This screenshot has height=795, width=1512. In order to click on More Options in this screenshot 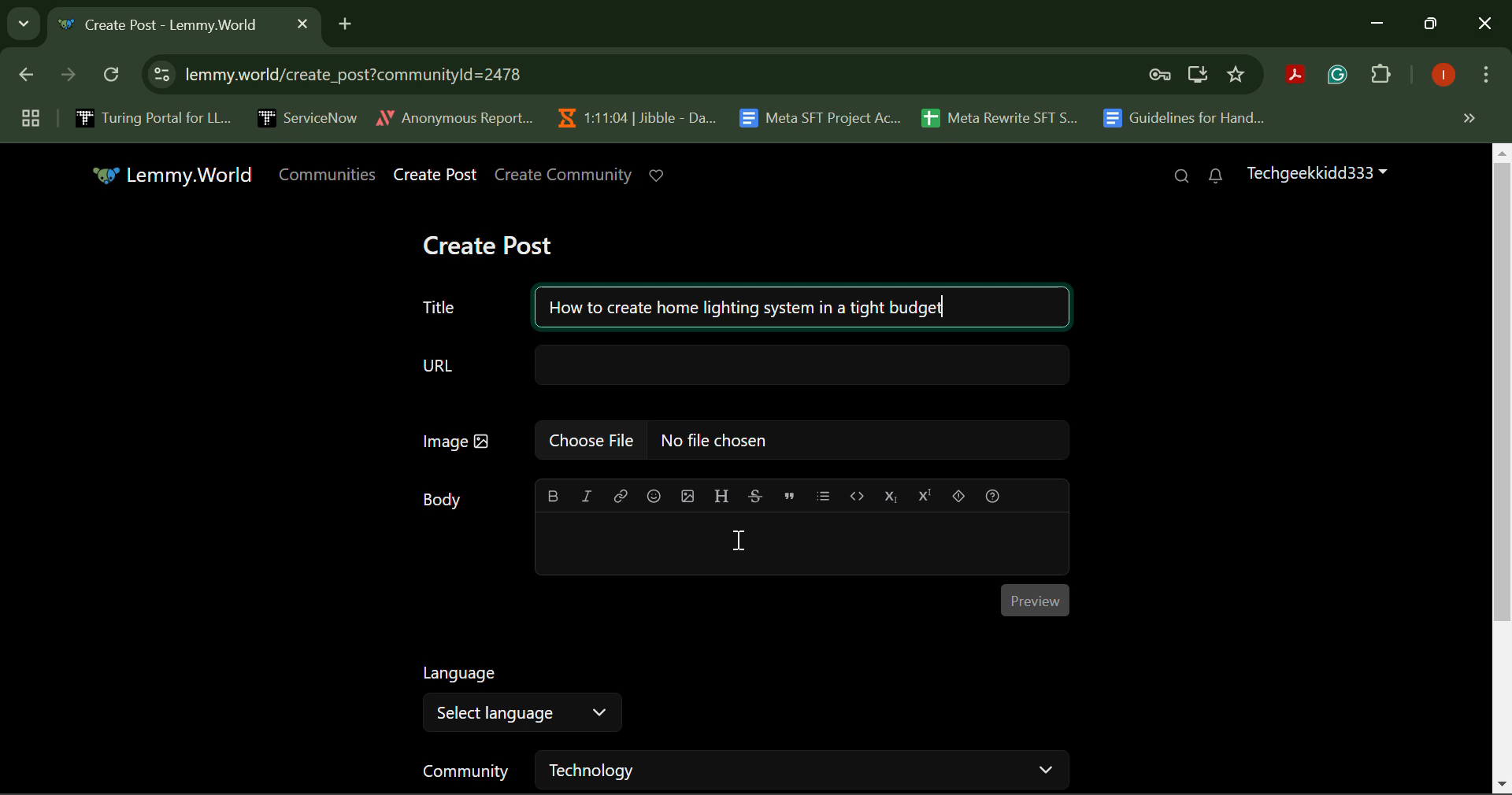, I will do `click(1484, 78)`.